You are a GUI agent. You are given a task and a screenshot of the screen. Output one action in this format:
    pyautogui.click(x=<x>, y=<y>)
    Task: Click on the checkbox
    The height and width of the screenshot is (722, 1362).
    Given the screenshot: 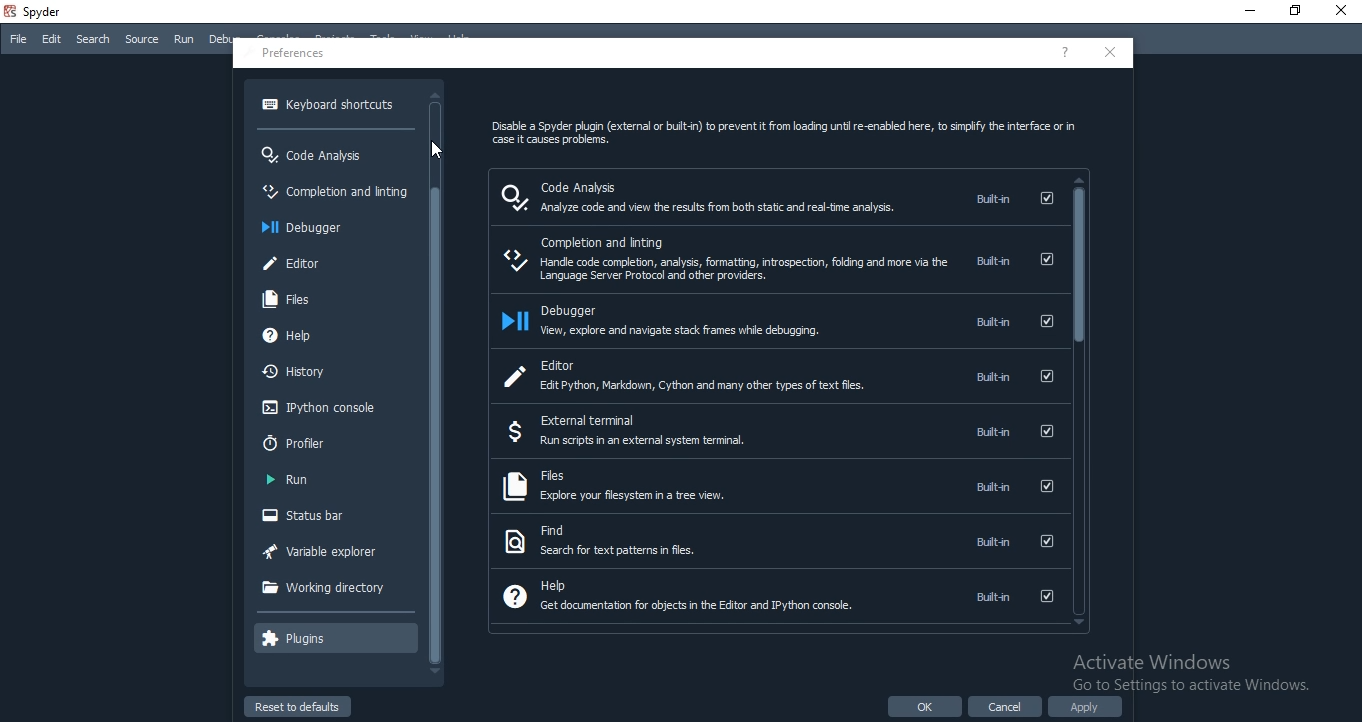 What is the action you would take?
    pyautogui.click(x=1042, y=545)
    